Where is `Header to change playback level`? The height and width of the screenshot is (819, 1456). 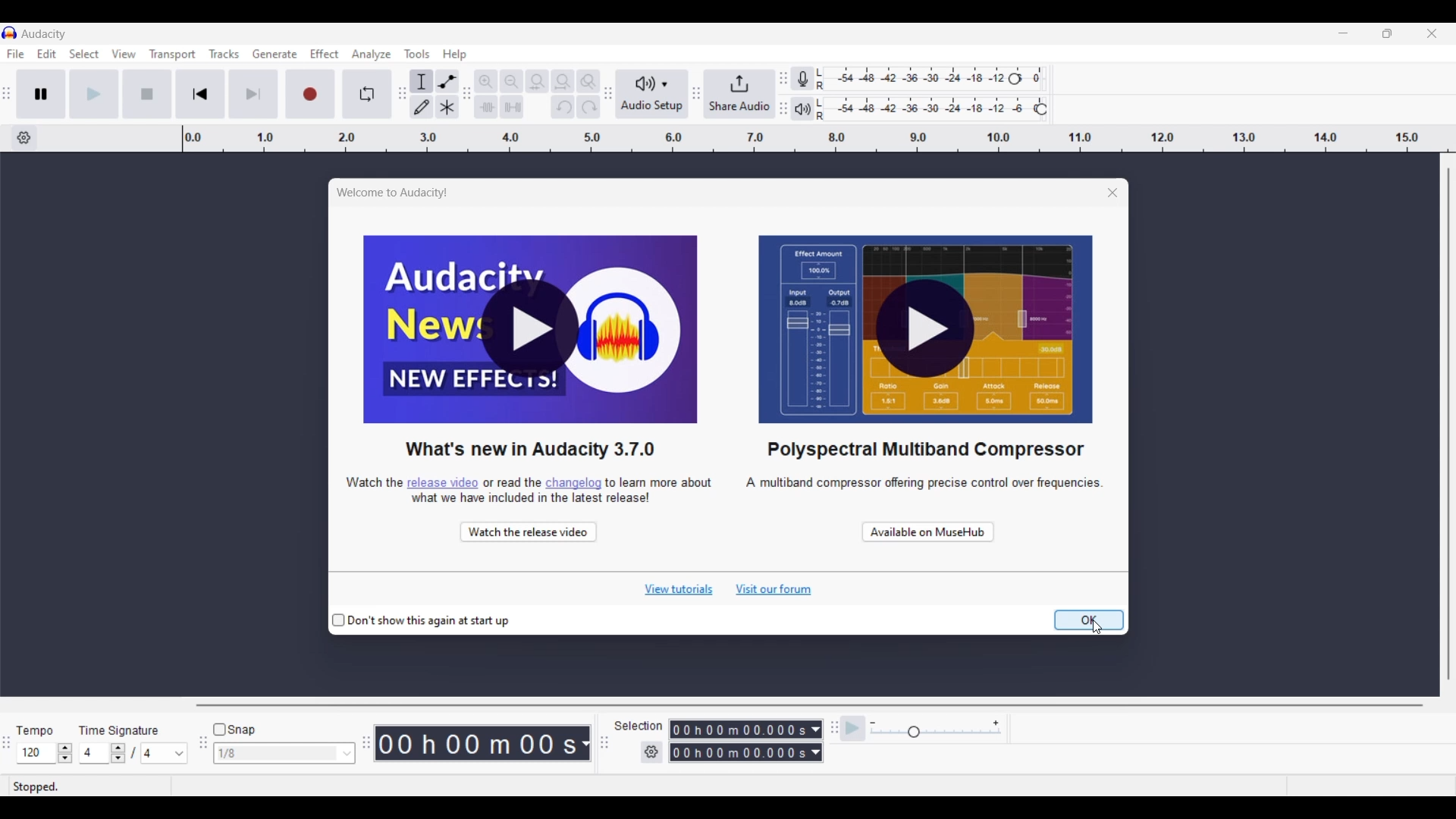
Header to change playback level is located at coordinates (1041, 109).